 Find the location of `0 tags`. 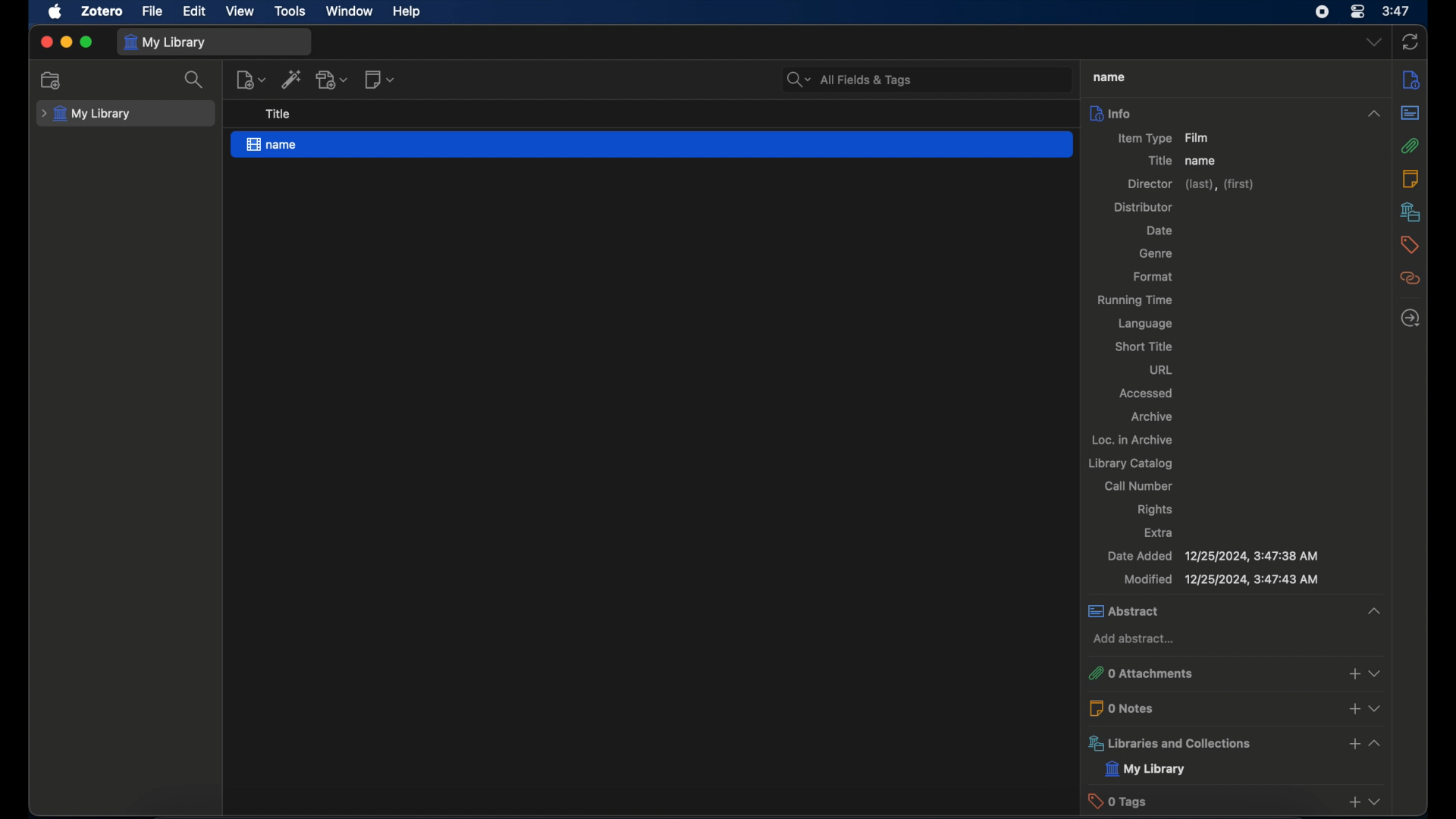

0 tags is located at coordinates (1207, 802).